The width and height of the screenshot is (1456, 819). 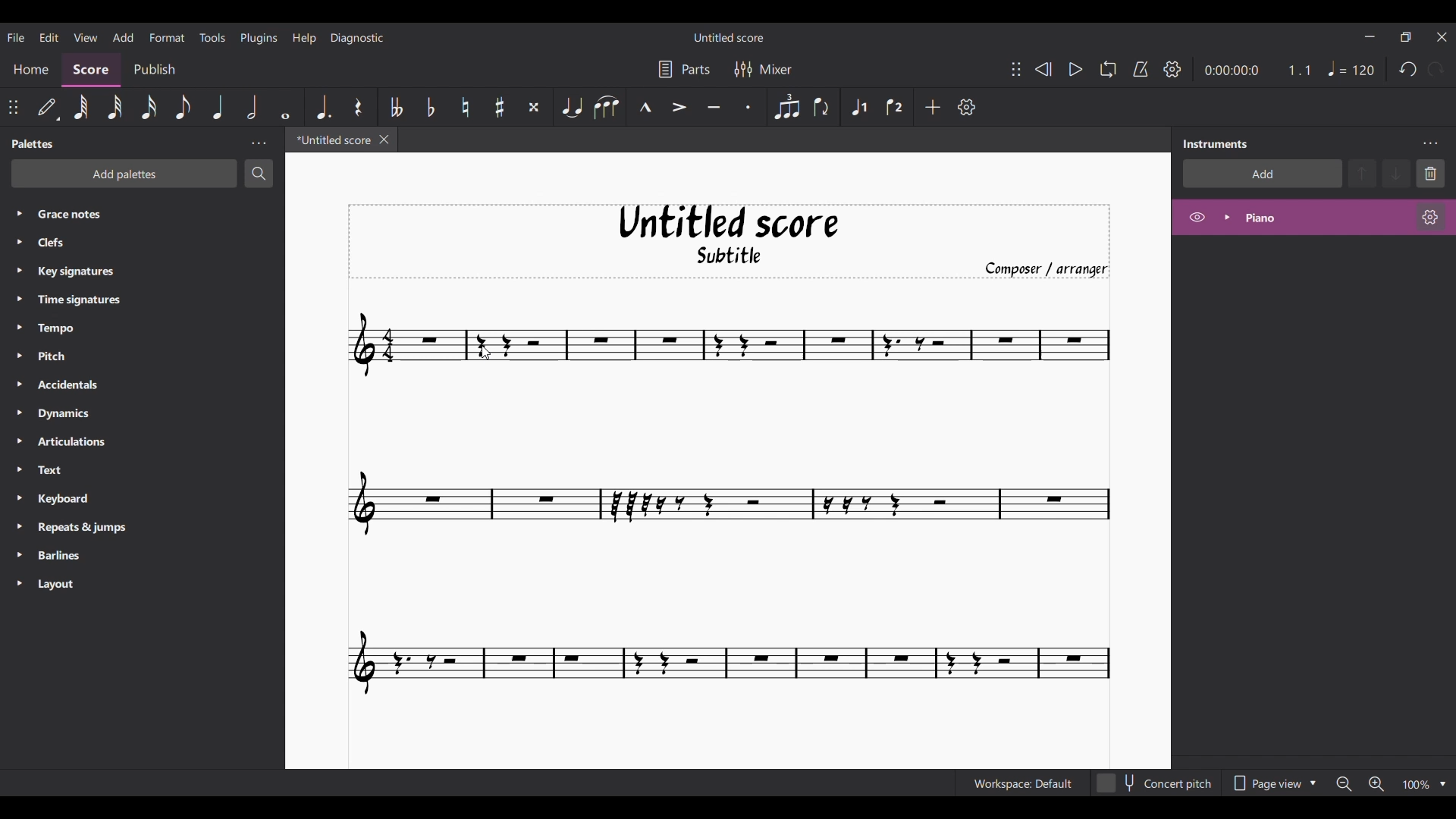 I want to click on Customize toolbar, so click(x=966, y=107).